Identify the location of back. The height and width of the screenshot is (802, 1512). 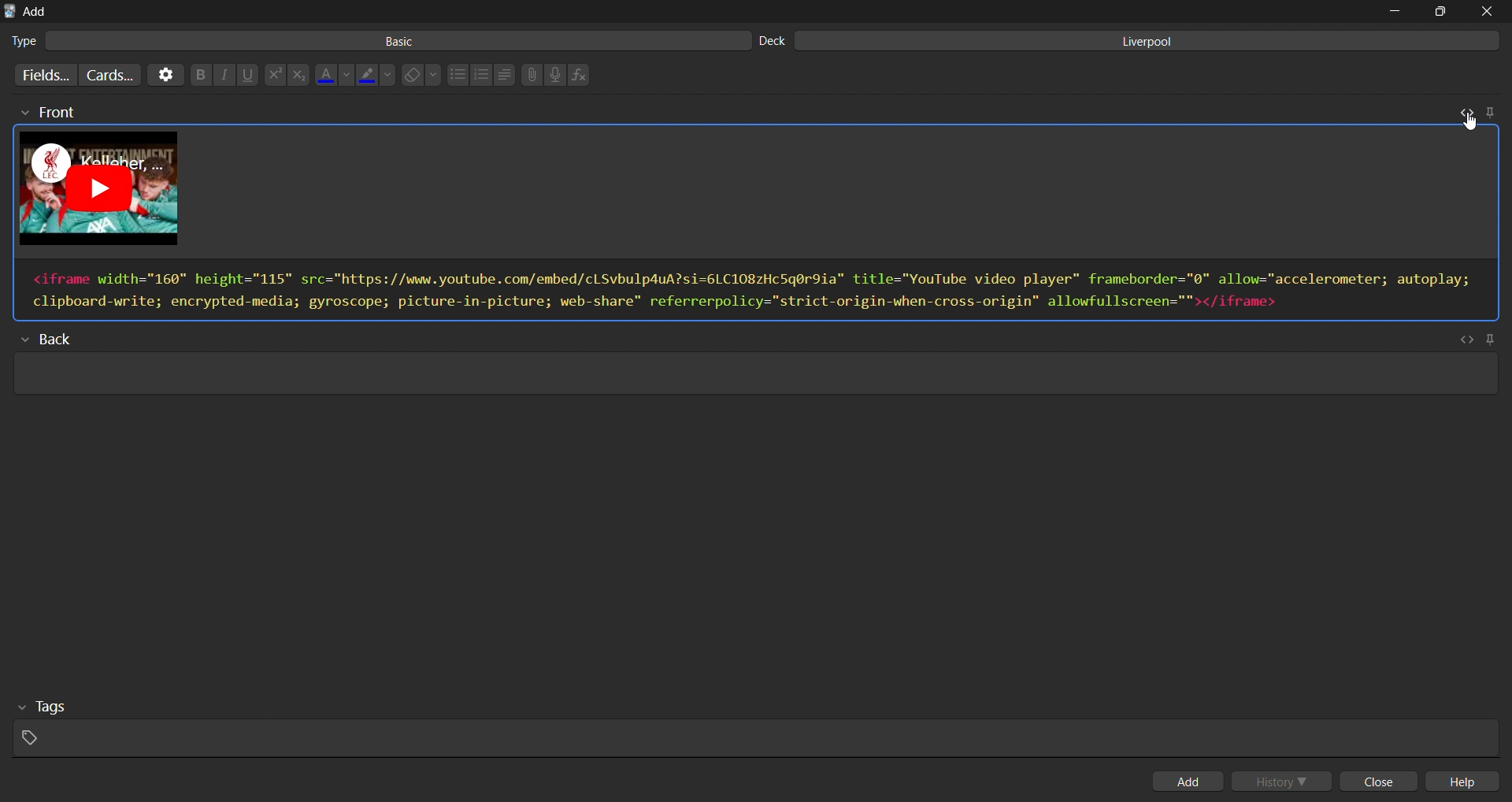
(52, 340).